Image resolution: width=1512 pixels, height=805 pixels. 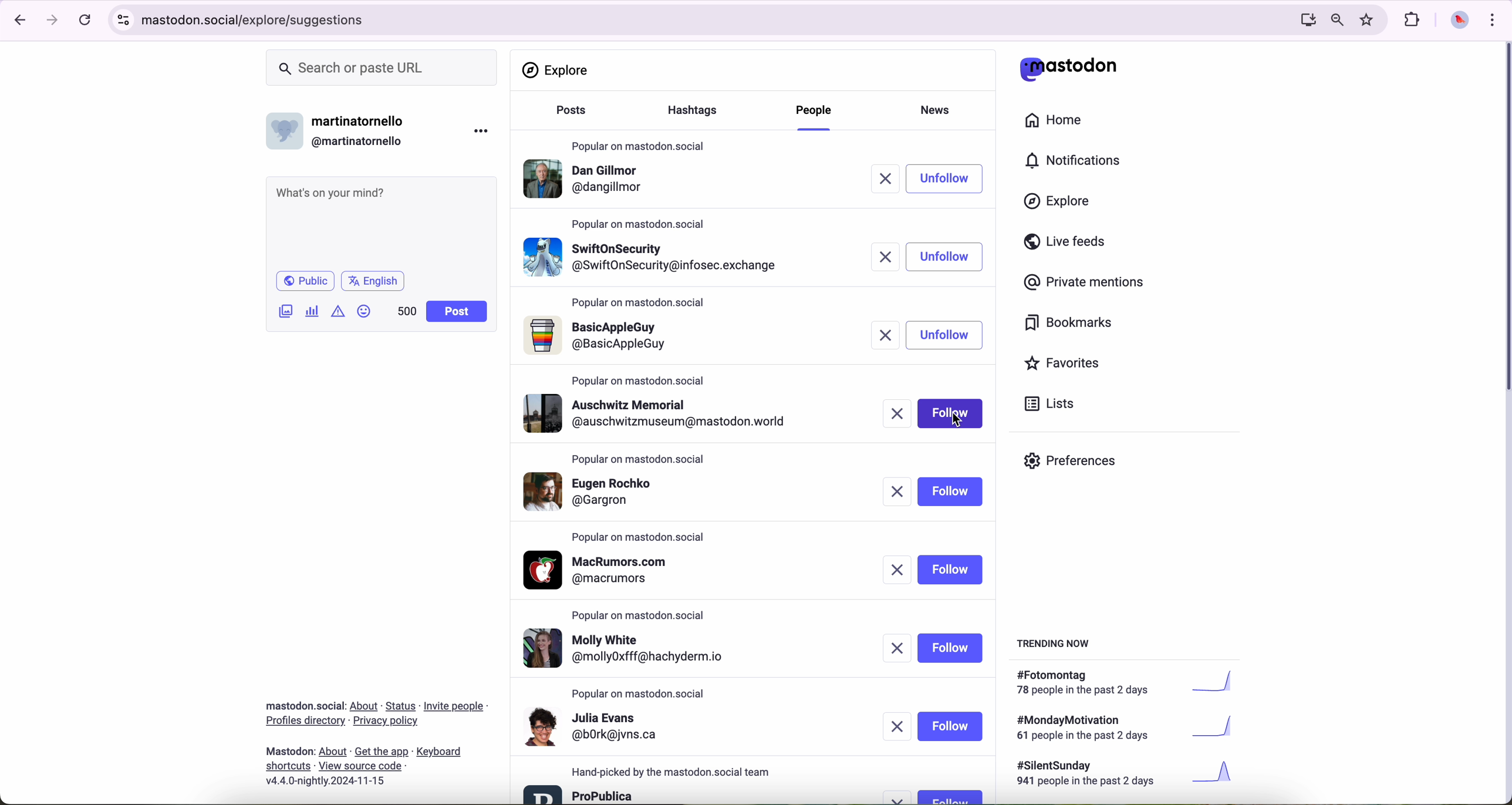 I want to click on unfollow, so click(x=946, y=335).